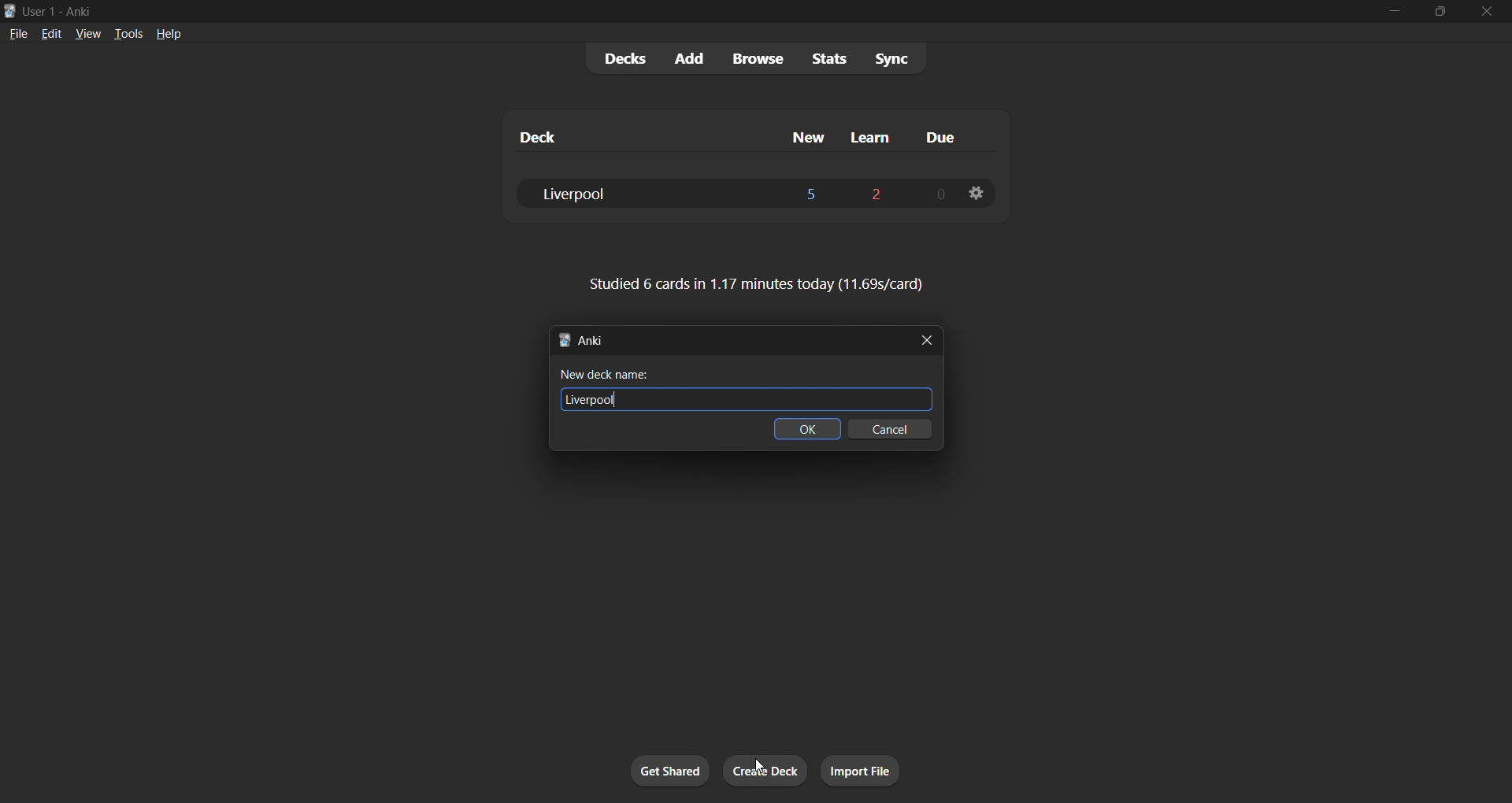  Describe the element at coordinates (832, 57) in the screenshot. I see `stats` at that location.